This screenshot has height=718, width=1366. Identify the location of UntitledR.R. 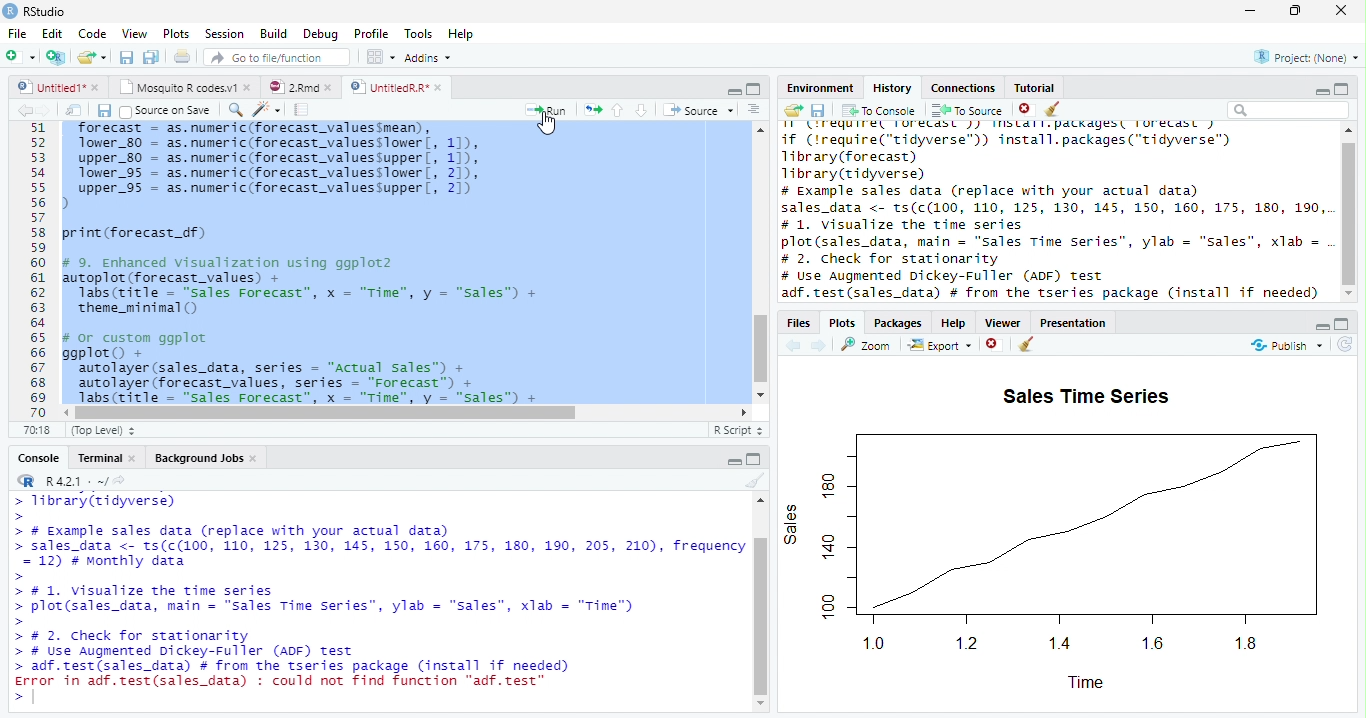
(403, 86).